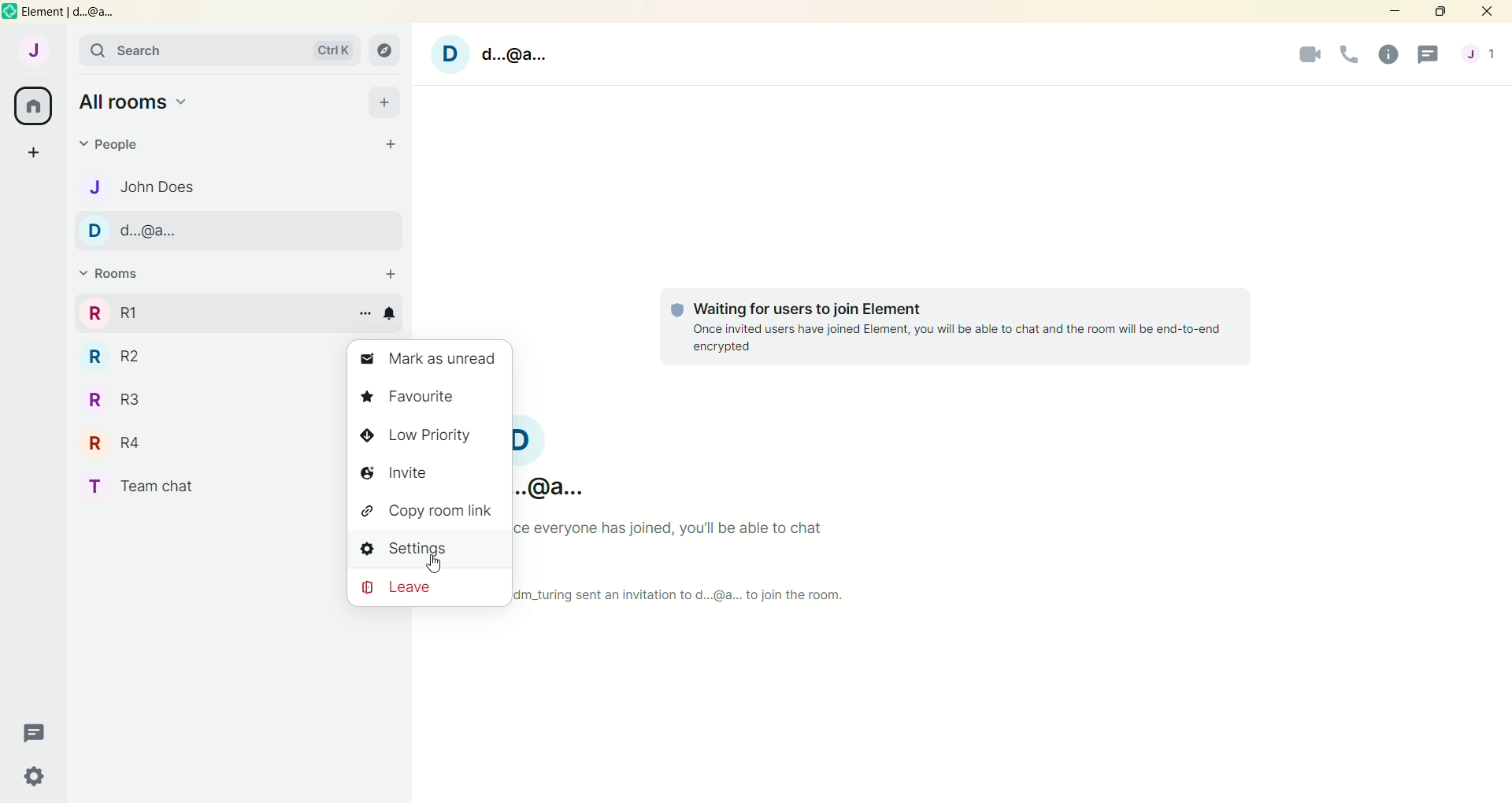  I want to click on all rooms, so click(35, 107).